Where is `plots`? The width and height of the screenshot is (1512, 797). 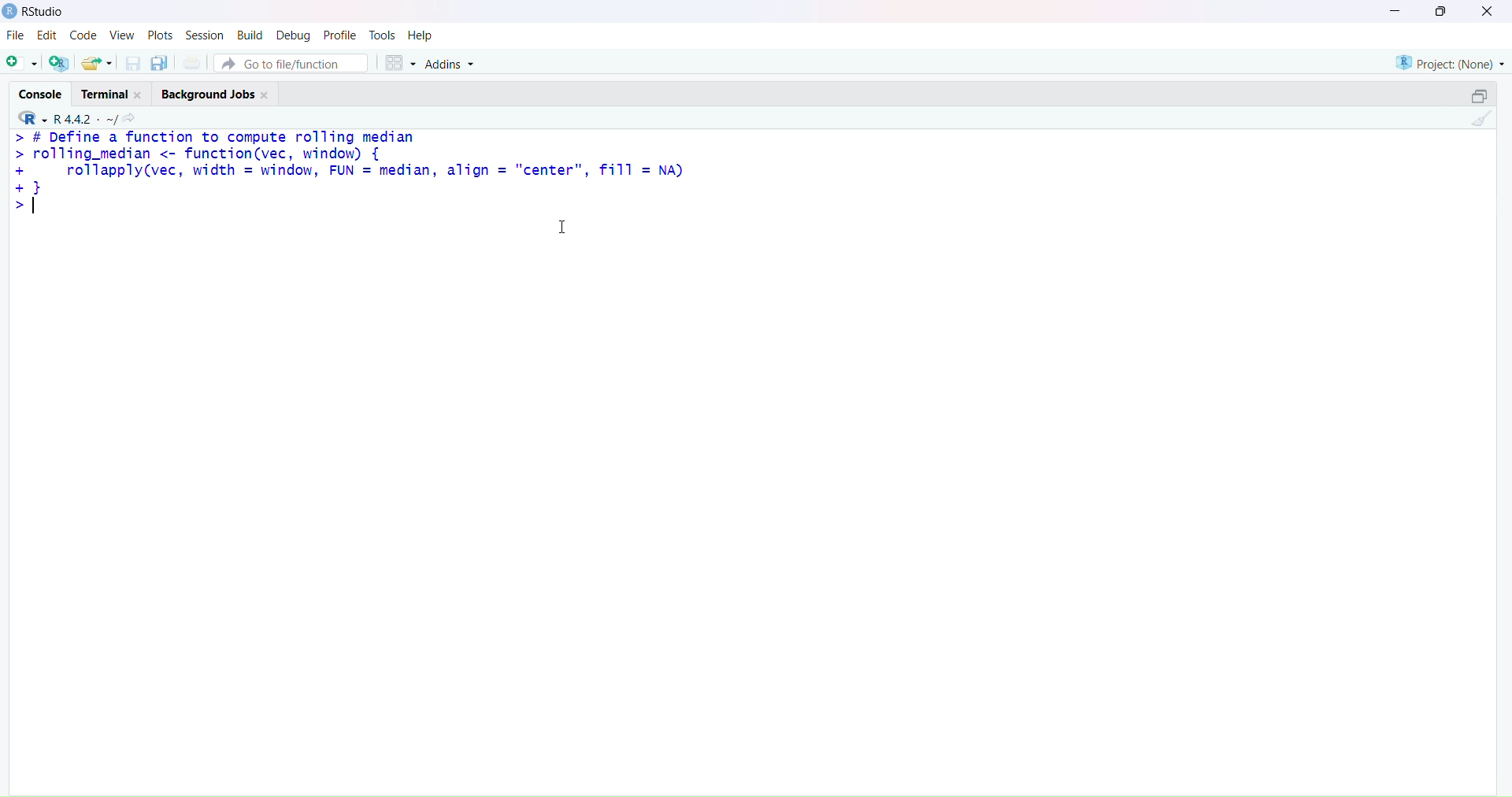 plots is located at coordinates (162, 35).